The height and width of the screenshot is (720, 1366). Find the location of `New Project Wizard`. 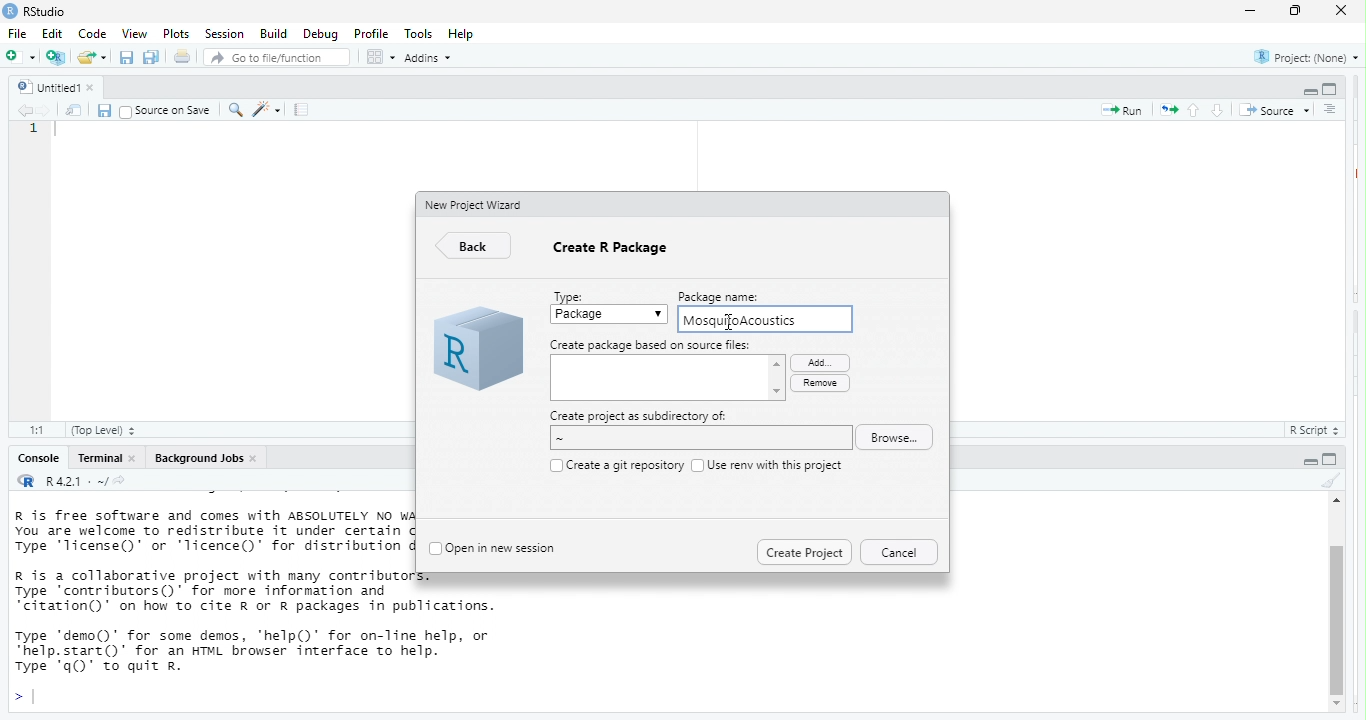

New Project Wizard is located at coordinates (476, 204).